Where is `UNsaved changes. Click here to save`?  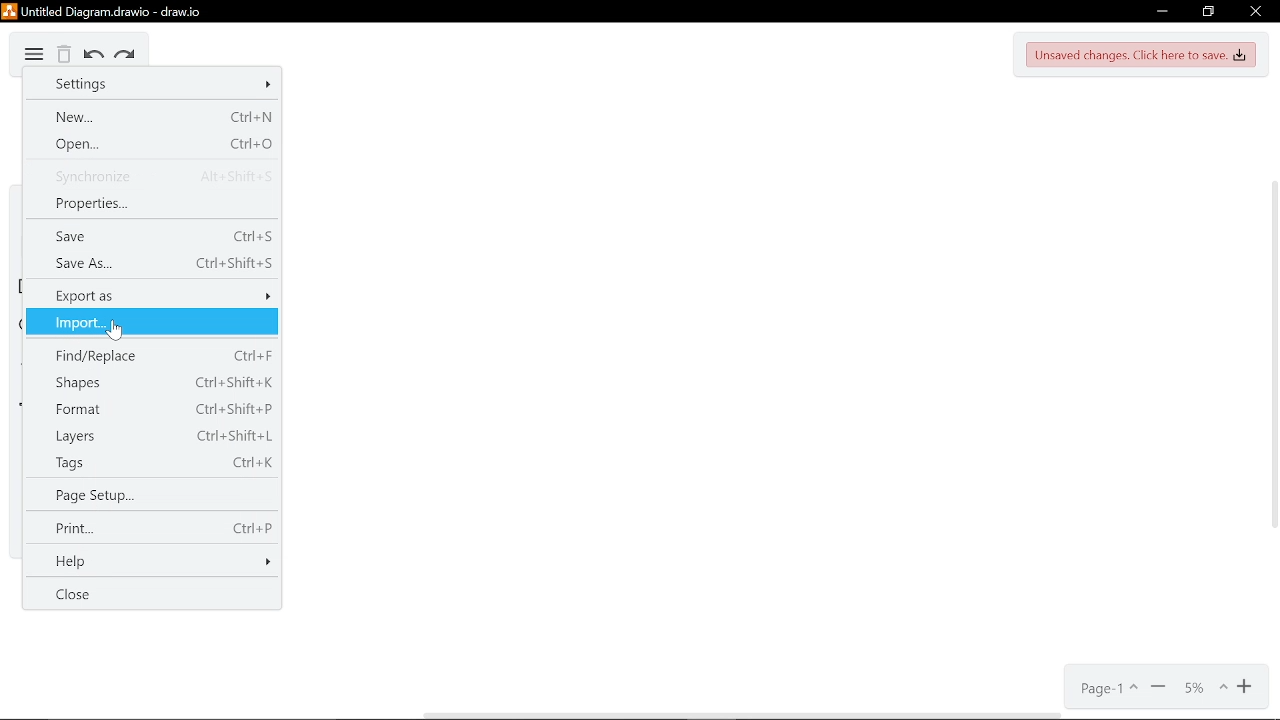
UNsaved changes. Click here to save is located at coordinates (1141, 56).